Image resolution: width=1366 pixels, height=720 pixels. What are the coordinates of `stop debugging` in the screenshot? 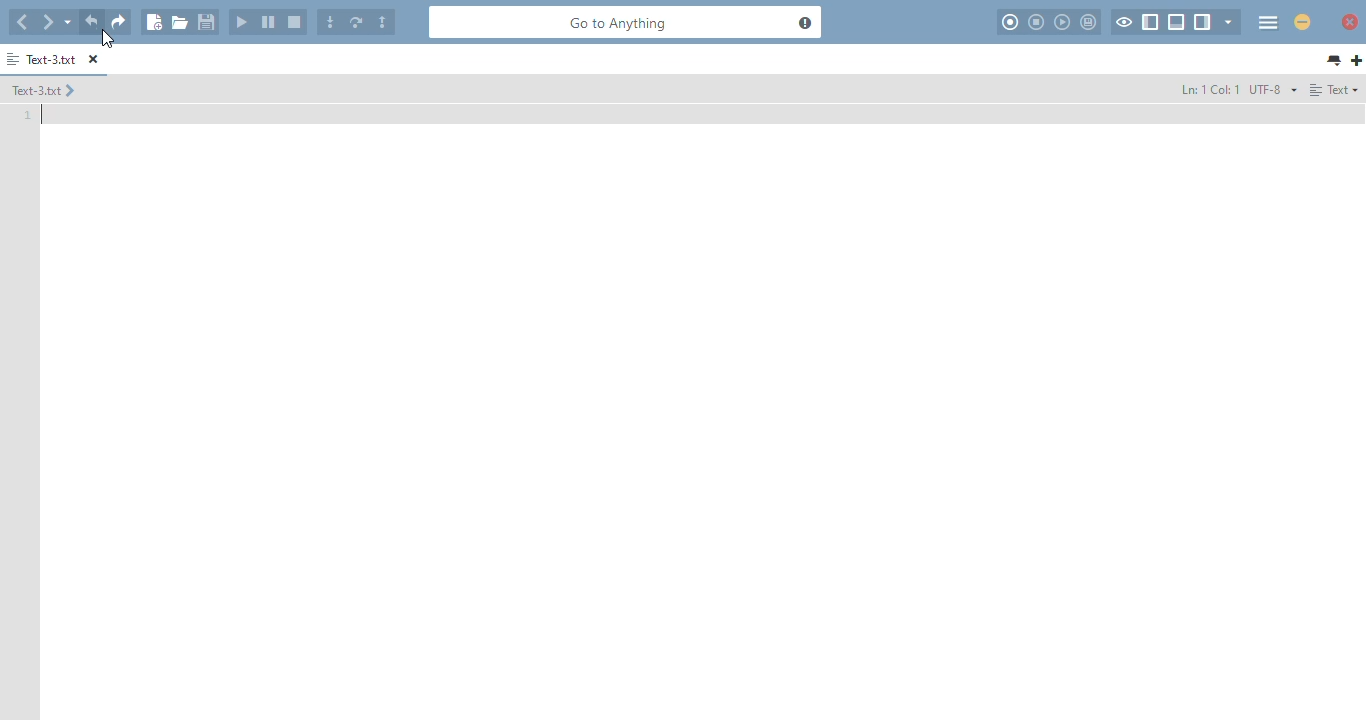 It's located at (295, 22).